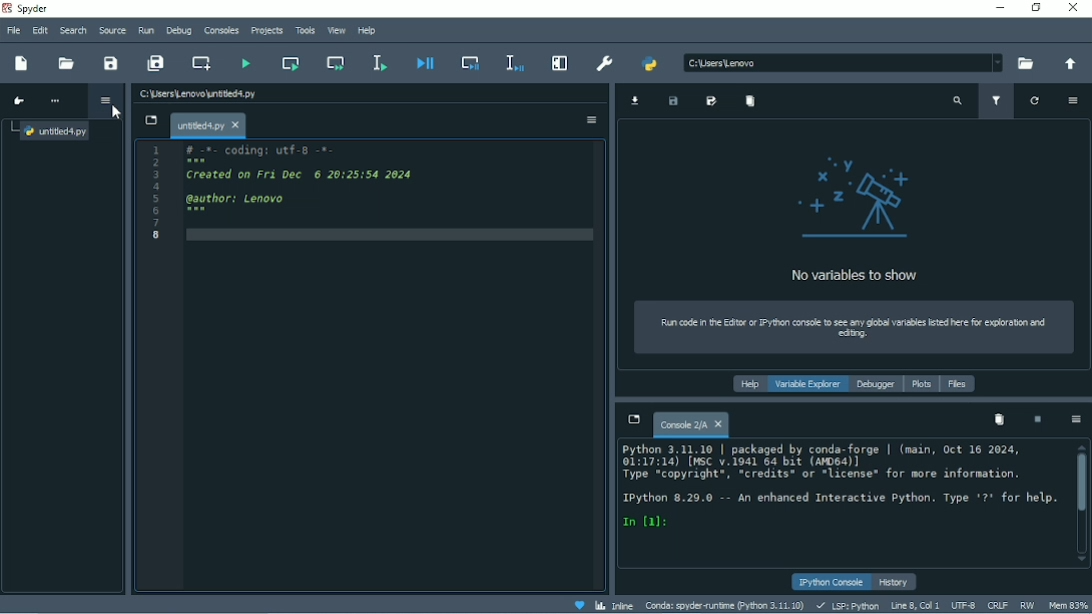  I want to click on Run current cell and go to the next one, so click(334, 61).